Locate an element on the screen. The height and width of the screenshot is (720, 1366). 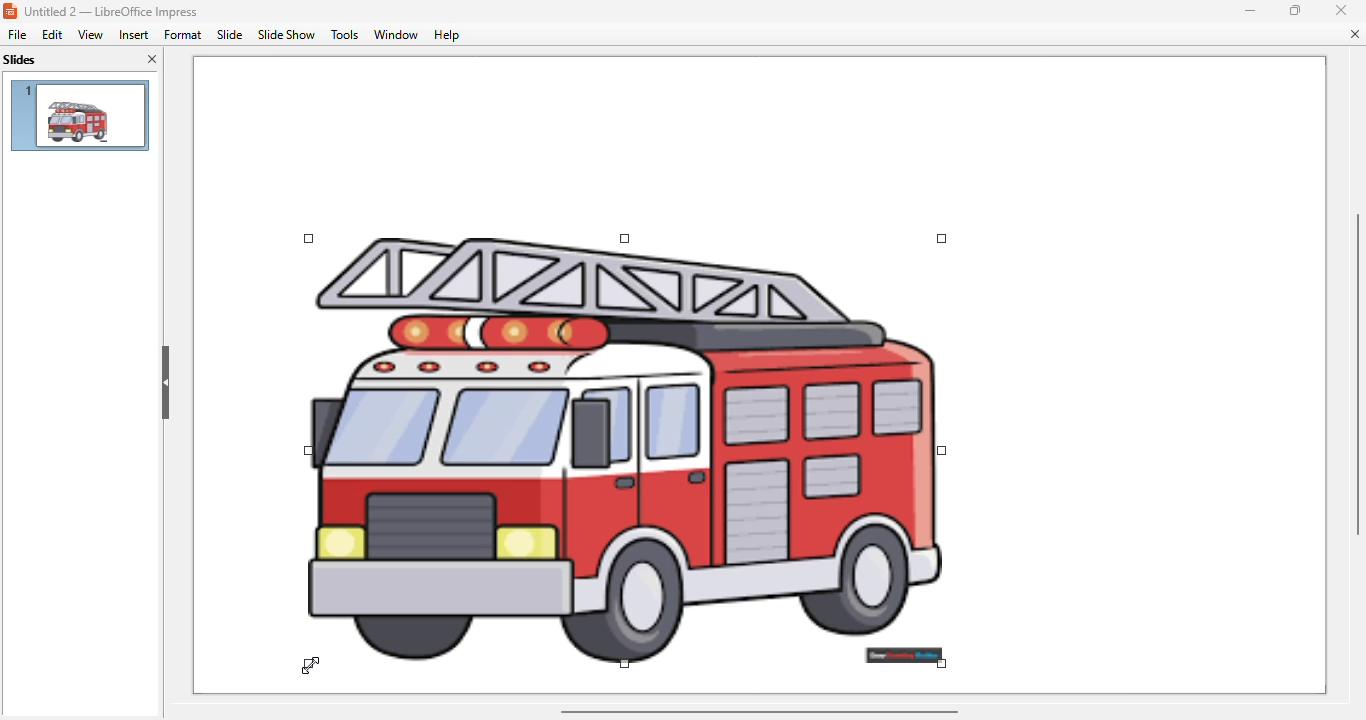
window is located at coordinates (394, 34).